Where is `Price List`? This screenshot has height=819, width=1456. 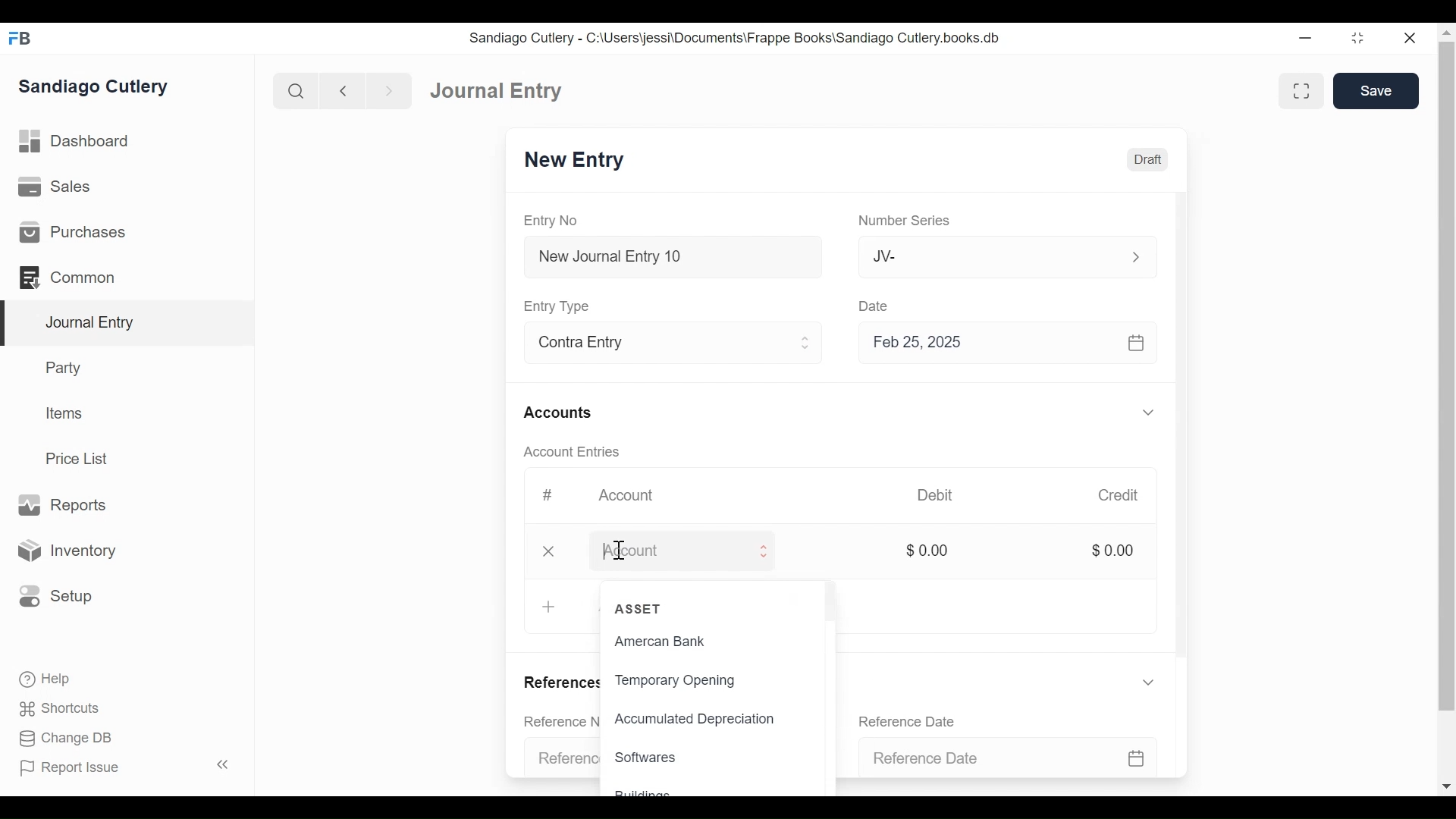
Price List is located at coordinates (80, 458).